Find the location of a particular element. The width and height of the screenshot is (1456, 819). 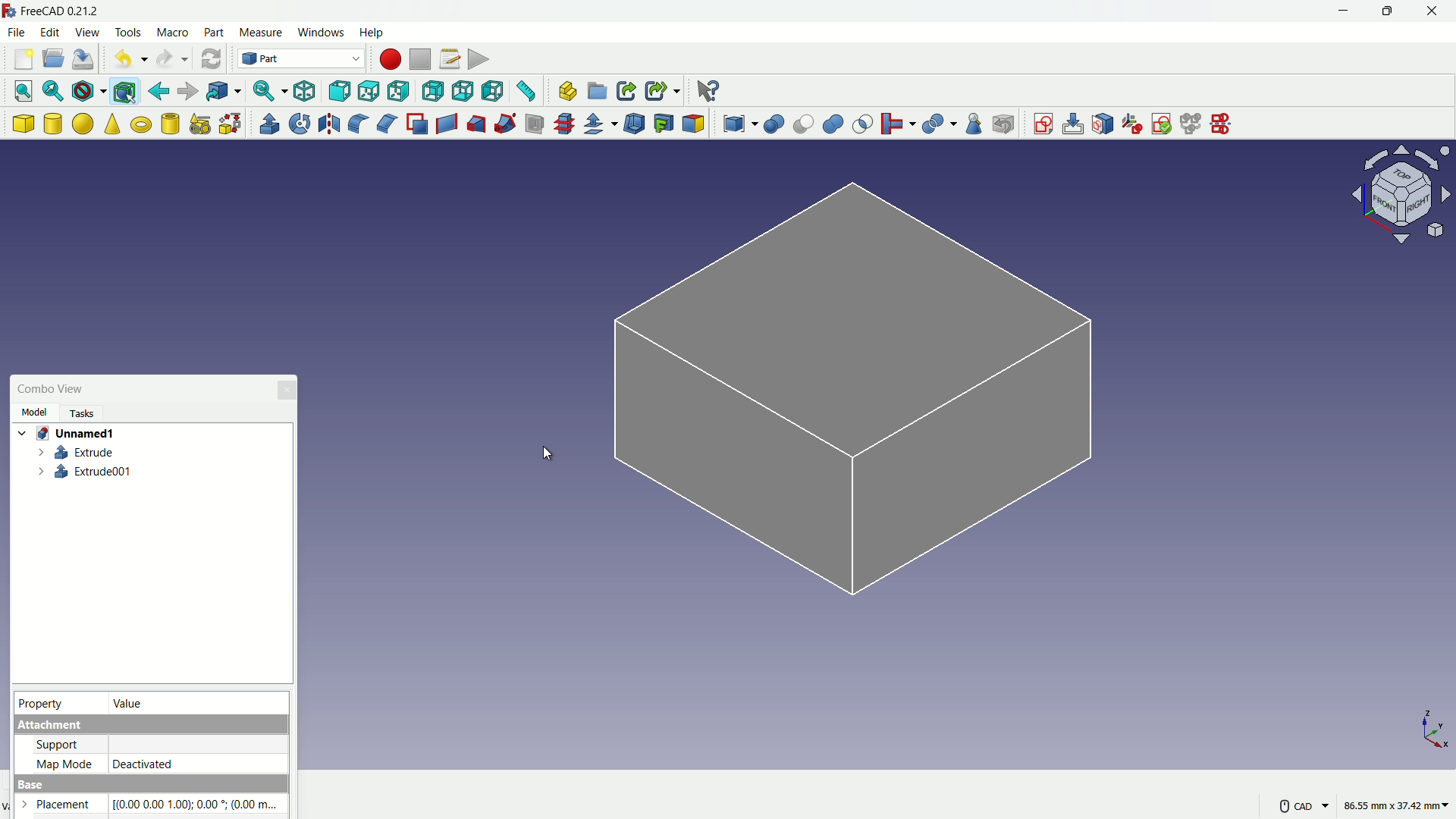

go back is located at coordinates (159, 92).